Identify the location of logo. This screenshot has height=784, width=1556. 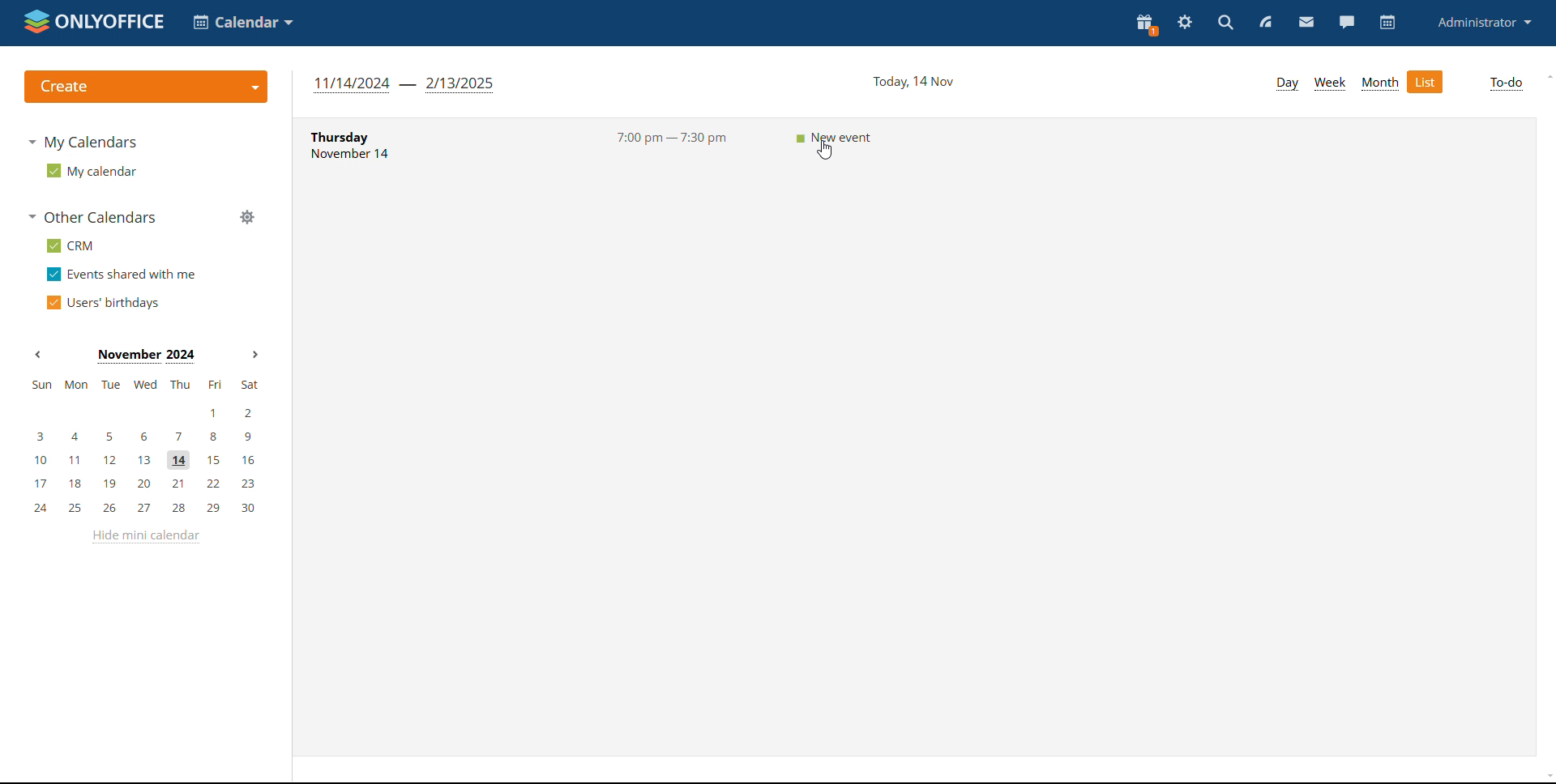
(94, 23).